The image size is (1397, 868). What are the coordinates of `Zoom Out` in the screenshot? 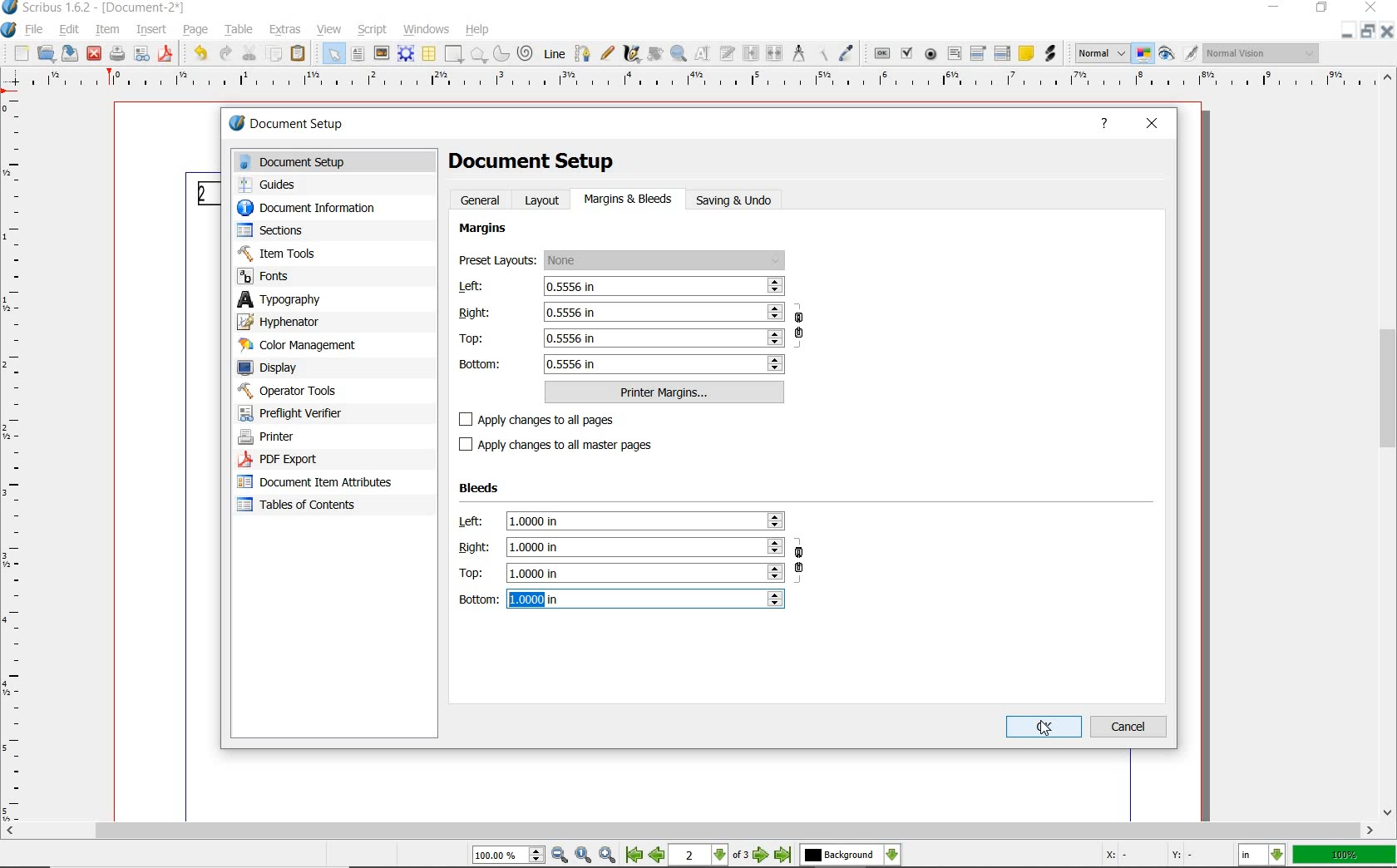 It's located at (560, 856).